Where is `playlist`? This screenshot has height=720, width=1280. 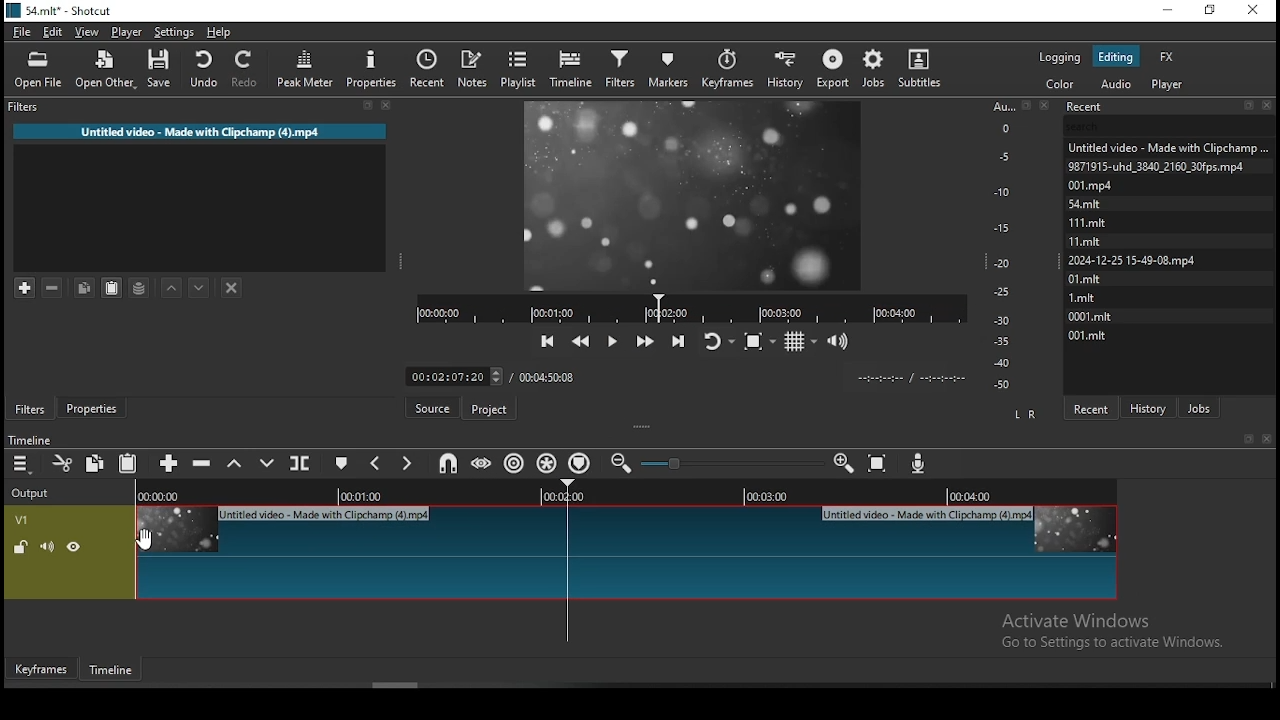 playlist is located at coordinates (518, 70).